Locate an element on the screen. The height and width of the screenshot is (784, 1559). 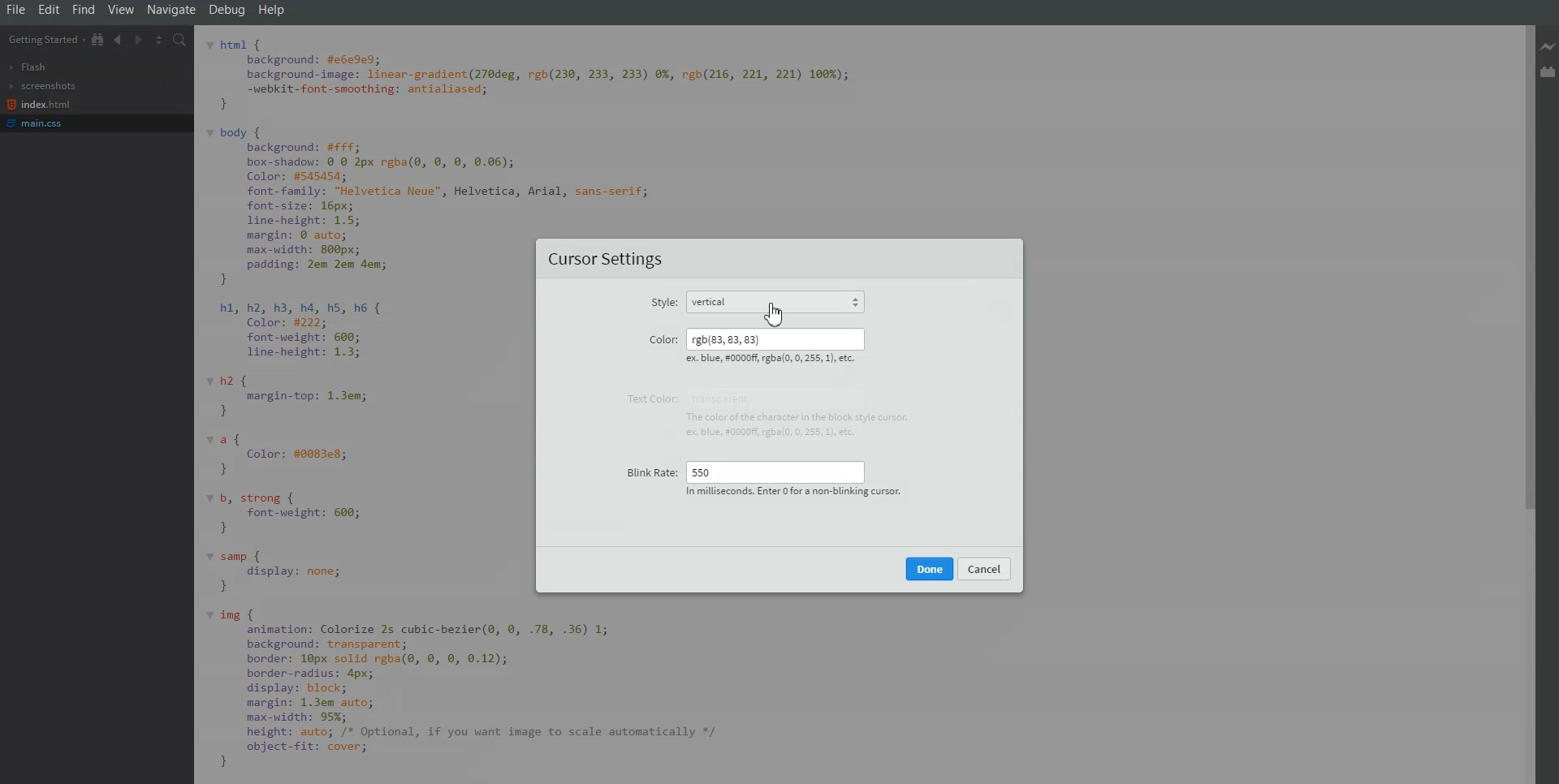
transparent is located at coordinates (728, 398).